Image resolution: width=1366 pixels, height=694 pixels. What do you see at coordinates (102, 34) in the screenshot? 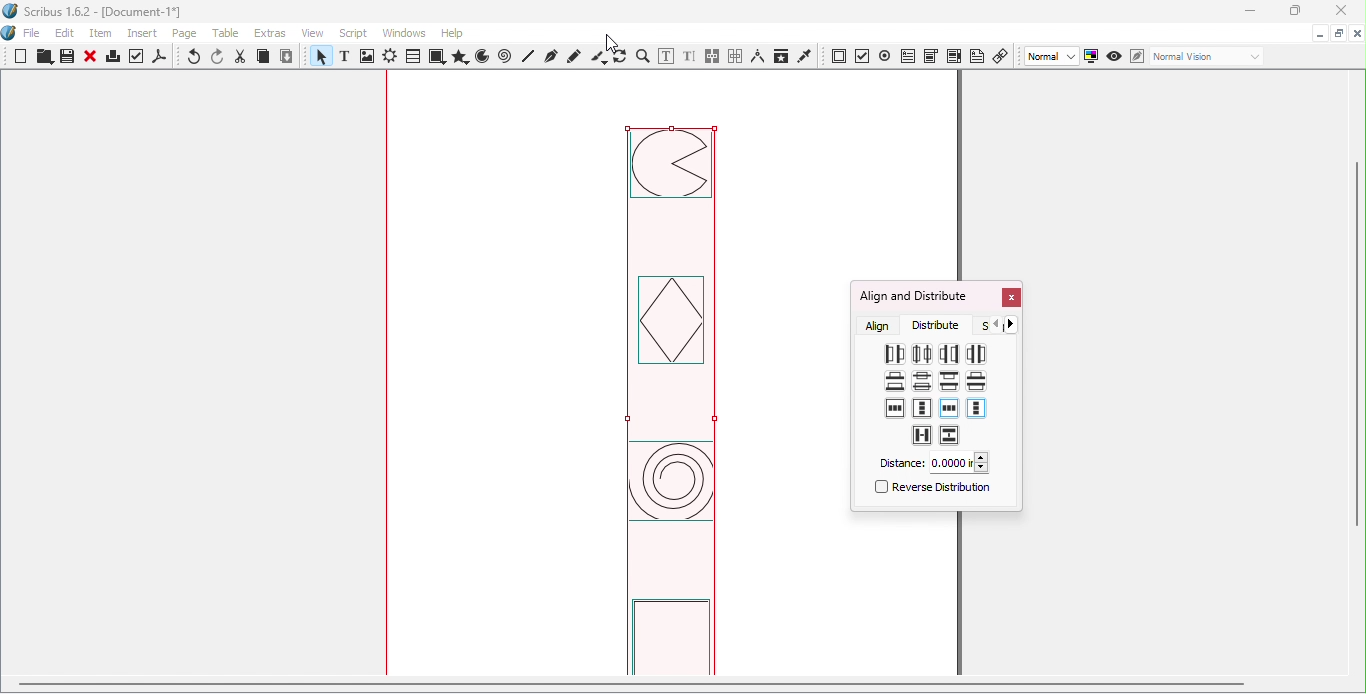
I see `Item` at bounding box center [102, 34].